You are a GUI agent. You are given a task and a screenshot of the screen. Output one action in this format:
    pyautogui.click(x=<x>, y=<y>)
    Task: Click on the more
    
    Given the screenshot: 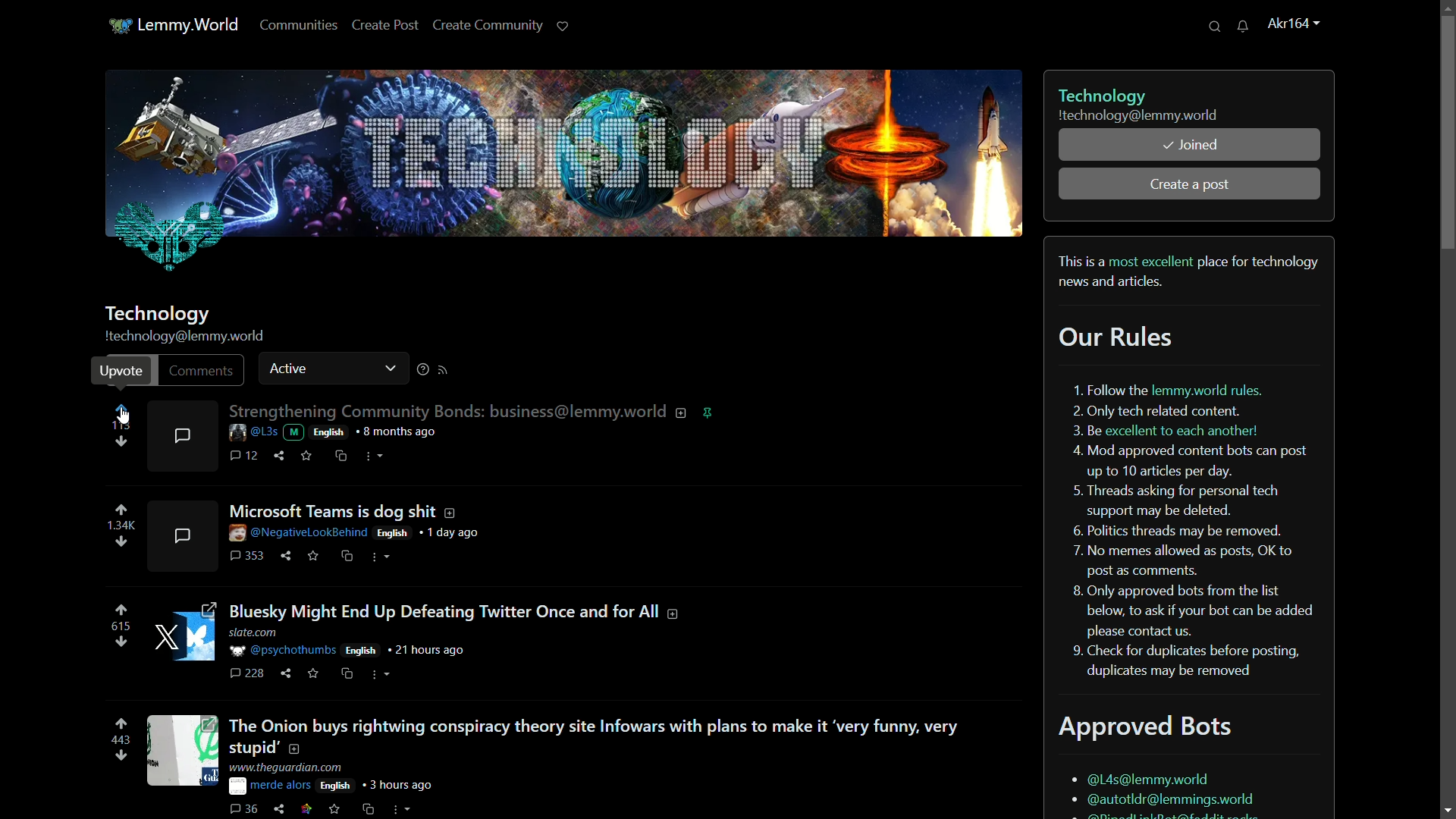 What is the action you would take?
    pyautogui.click(x=377, y=557)
    